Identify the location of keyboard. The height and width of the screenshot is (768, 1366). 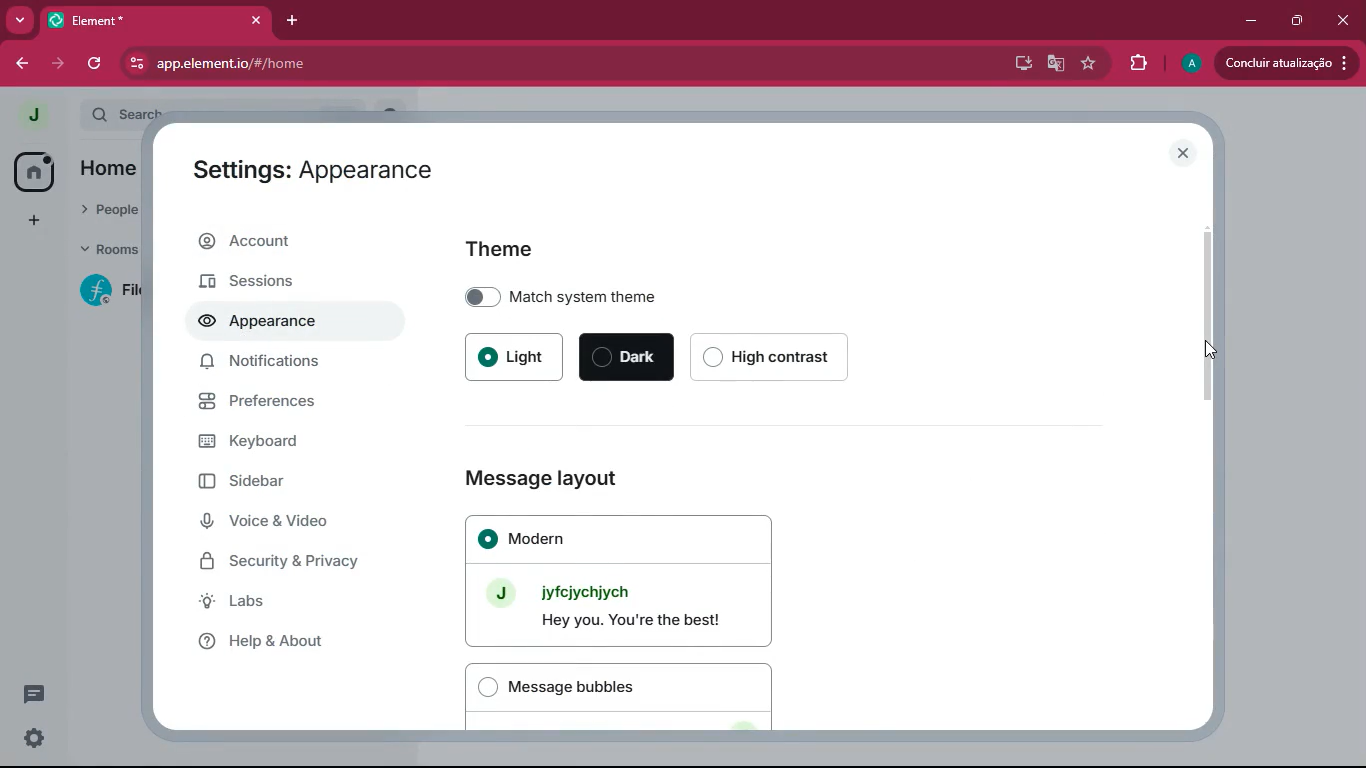
(283, 443).